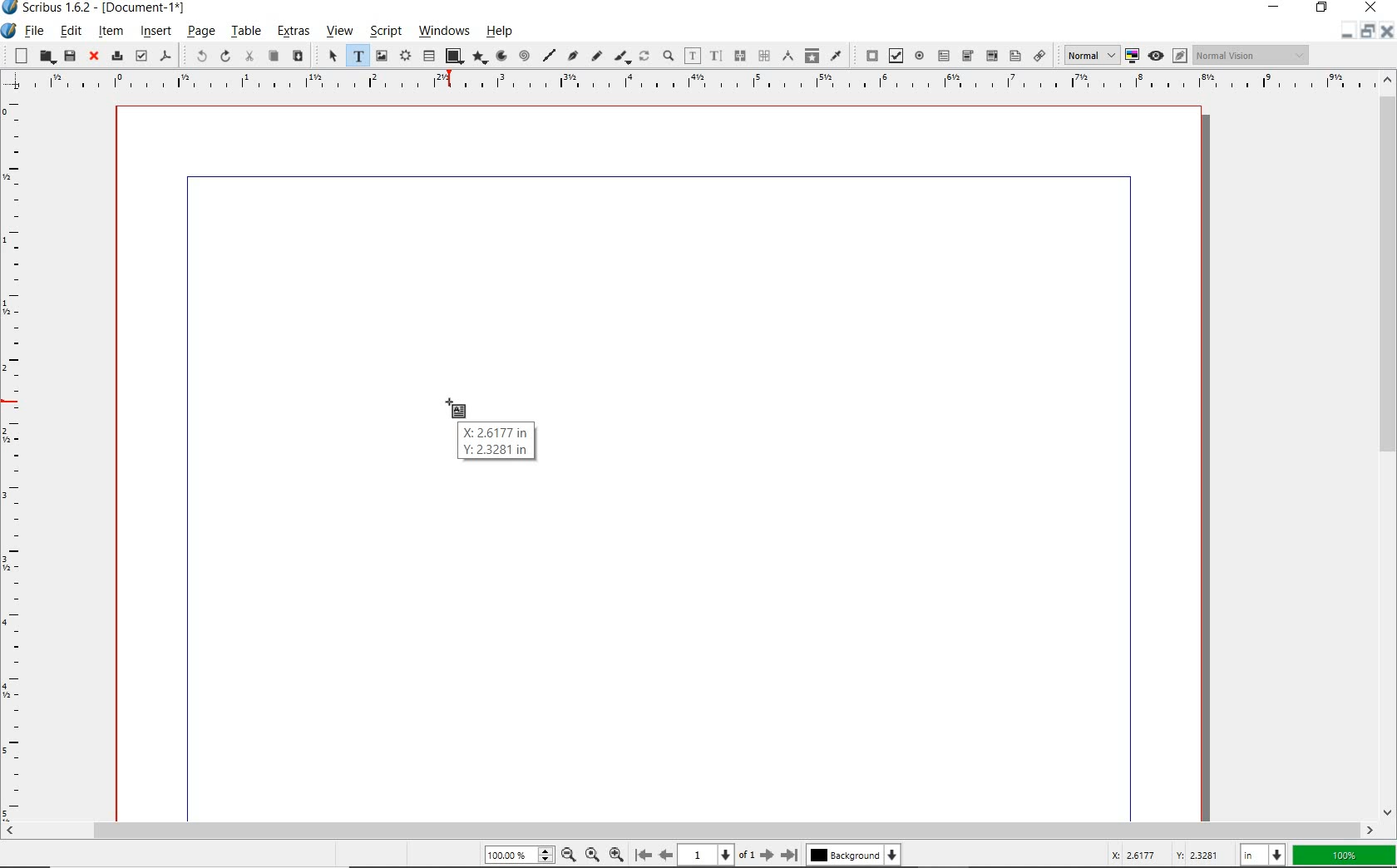  What do you see at coordinates (453, 407) in the screenshot?
I see `MOUSE_DOWN Cursor Position` at bounding box center [453, 407].